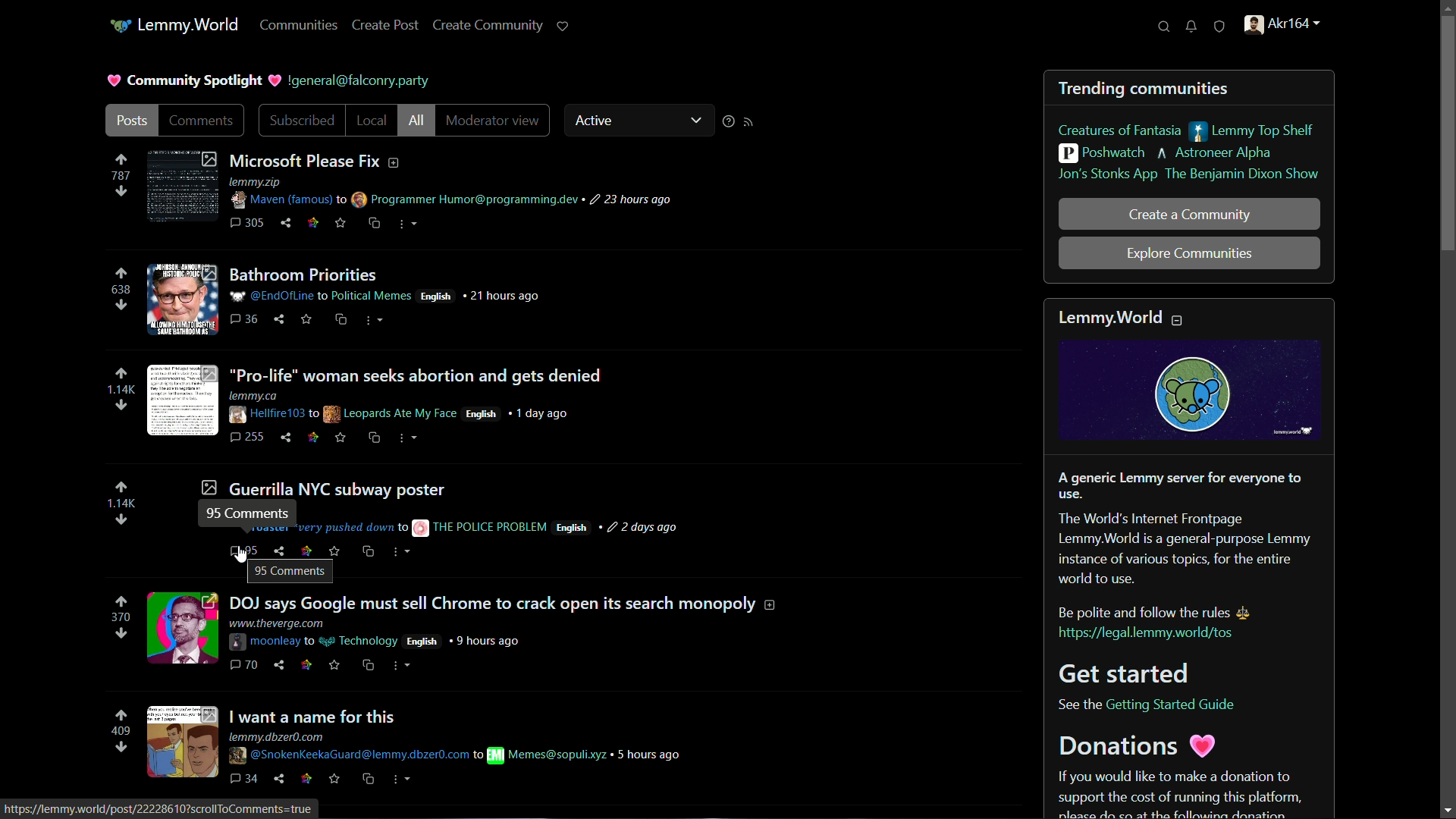 This screenshot has width=1456, height=819. What do you see at coordinates (358, 755) in the screenshot?
I see `i @SnokenKeekaGuard@lemmy.dbzer0.com` at bounding box center [358, 755].